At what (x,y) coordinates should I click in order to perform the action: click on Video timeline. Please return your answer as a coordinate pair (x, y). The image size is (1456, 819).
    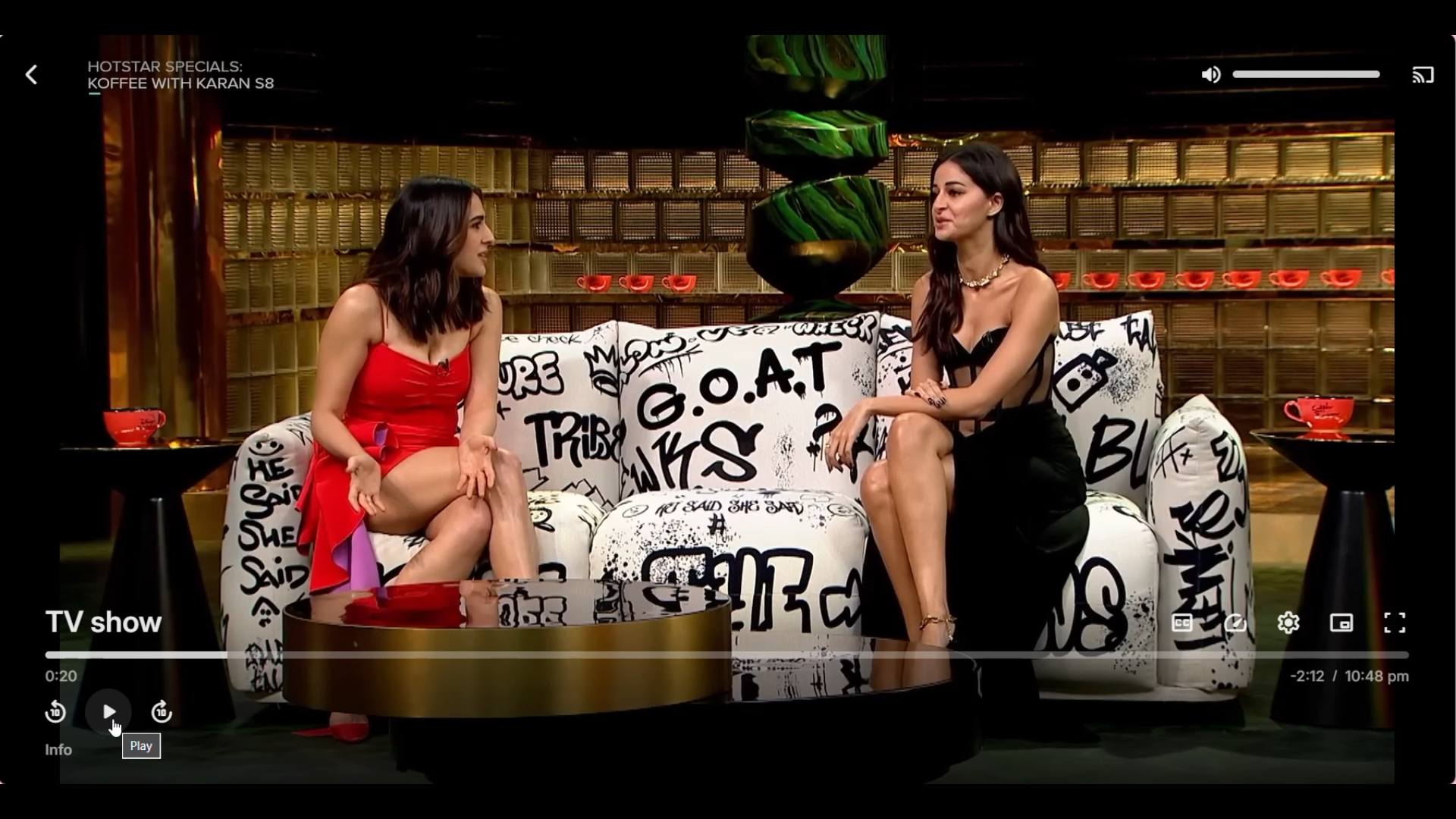
    Looking at the image, I should click on (724, 654).